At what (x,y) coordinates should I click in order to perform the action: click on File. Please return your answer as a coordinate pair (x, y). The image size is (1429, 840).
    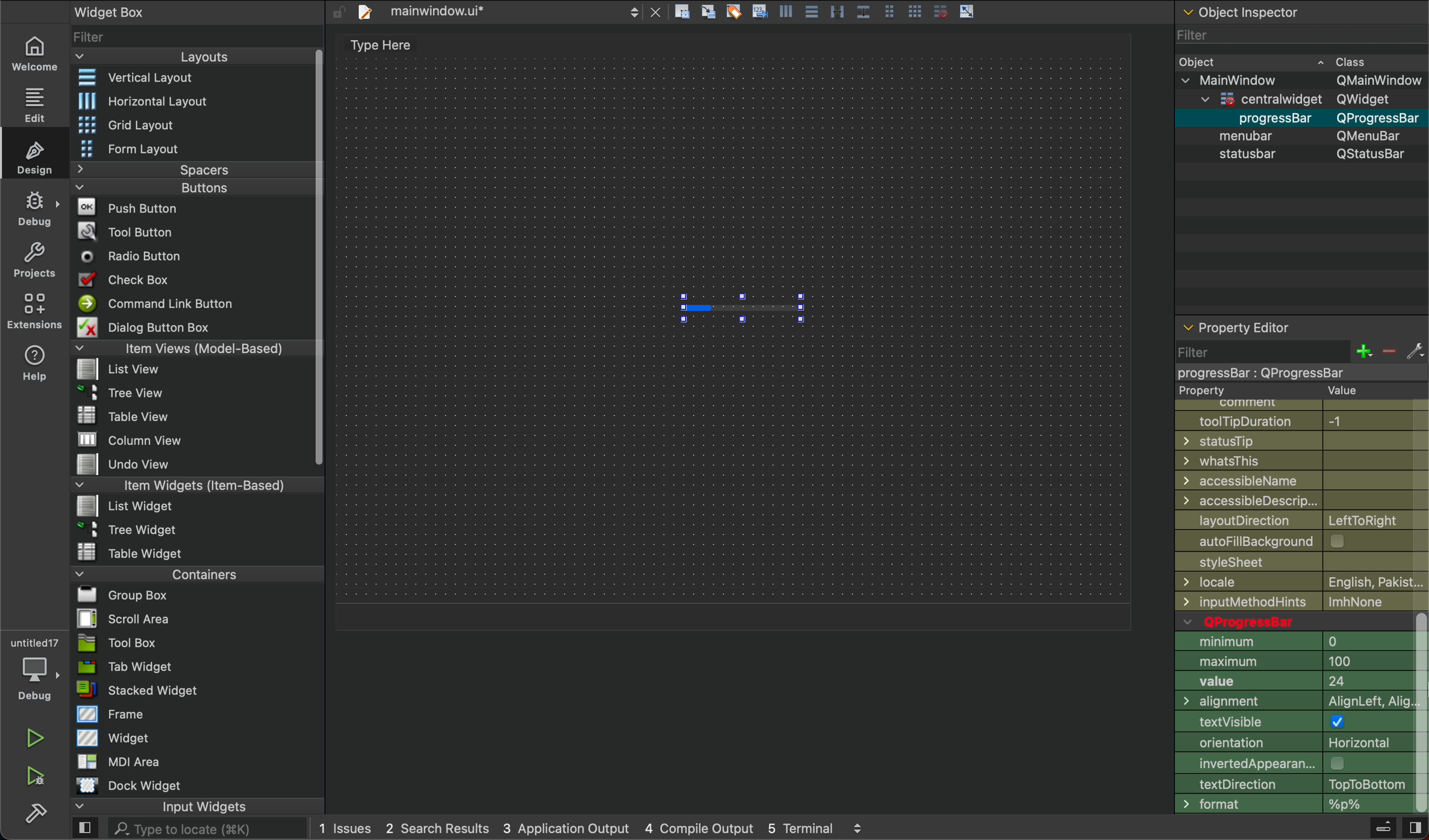
    Looking at the image, I should click on (126, 505).